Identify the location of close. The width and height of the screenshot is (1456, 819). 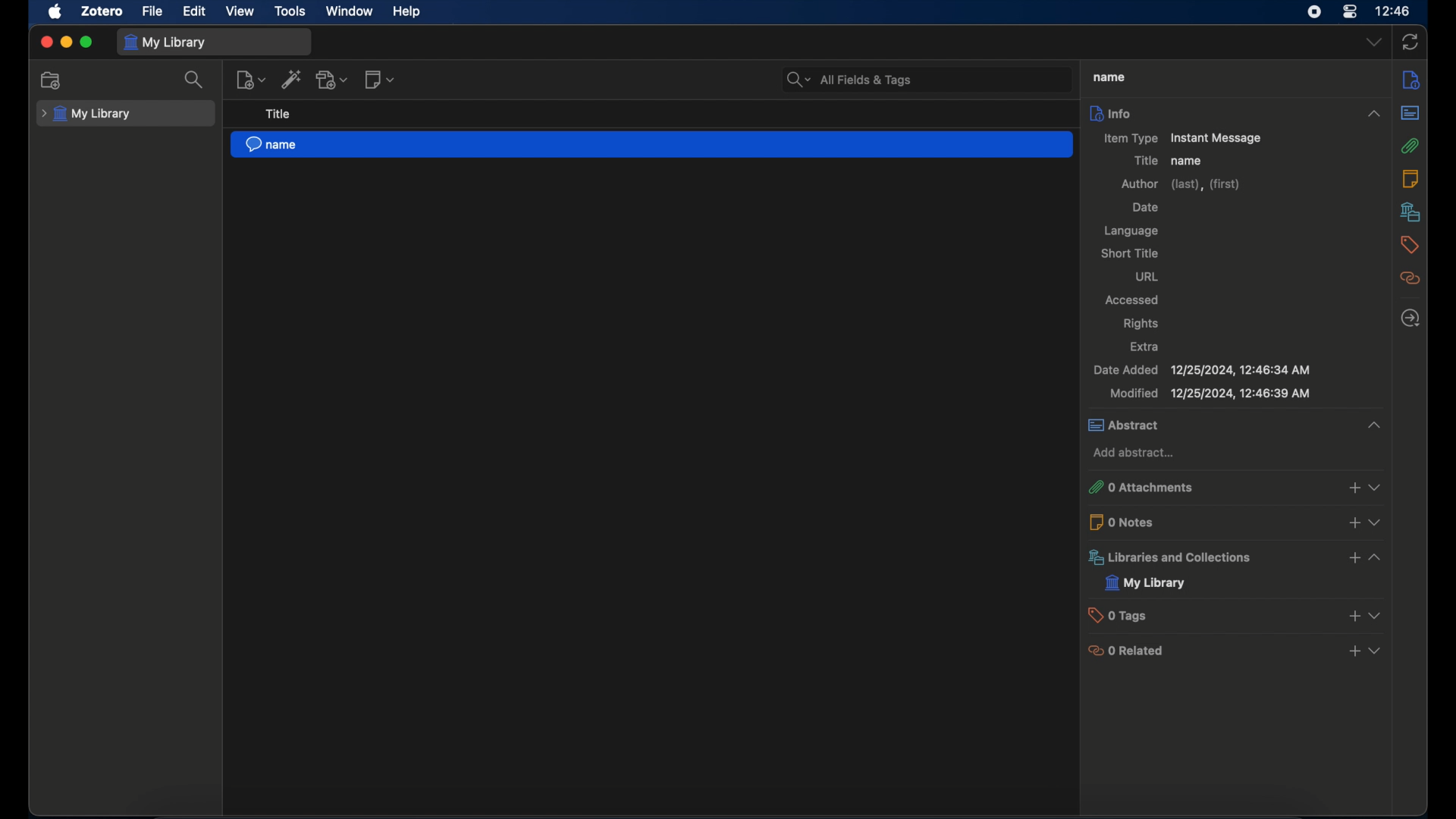
(45, 42).